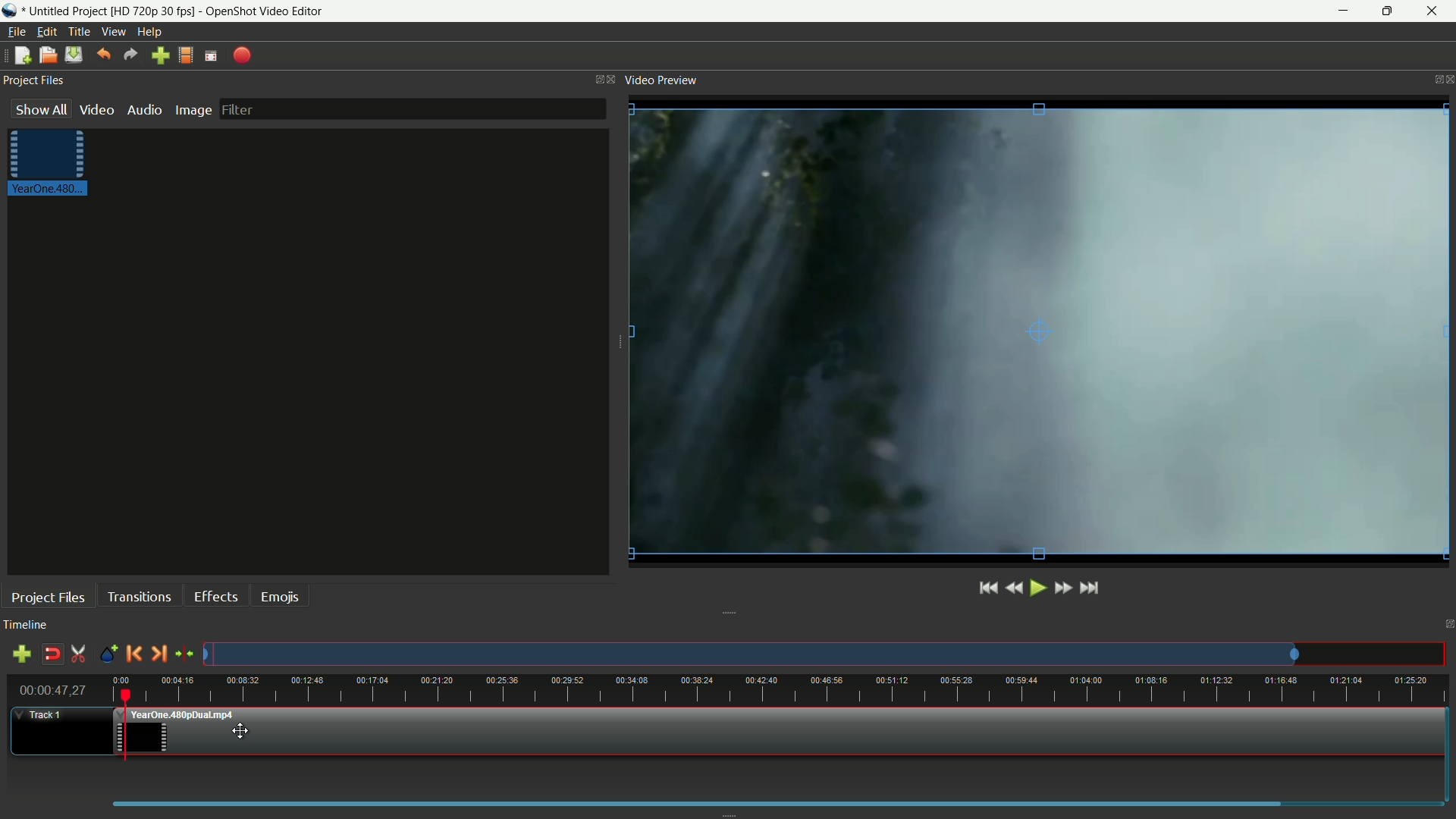  What do you see at coordinates (1015, 588) in the screenshot?
I see `rewind` at bounding box center [1015, 588].